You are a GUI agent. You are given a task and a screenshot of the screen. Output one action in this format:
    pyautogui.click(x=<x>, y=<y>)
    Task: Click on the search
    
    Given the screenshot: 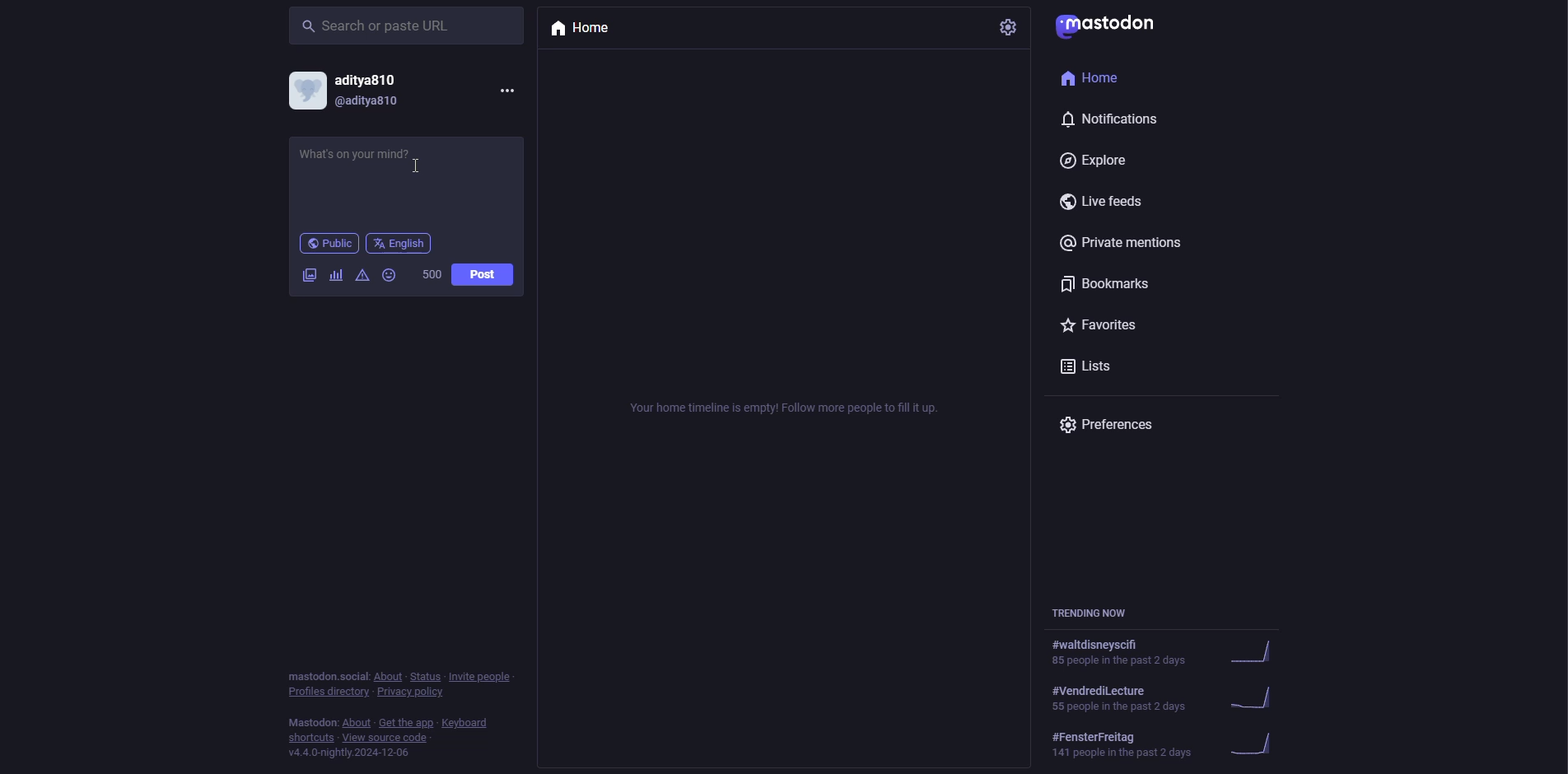 What is the action you would take?
    pyautogui.click(x=376, y=25)
    